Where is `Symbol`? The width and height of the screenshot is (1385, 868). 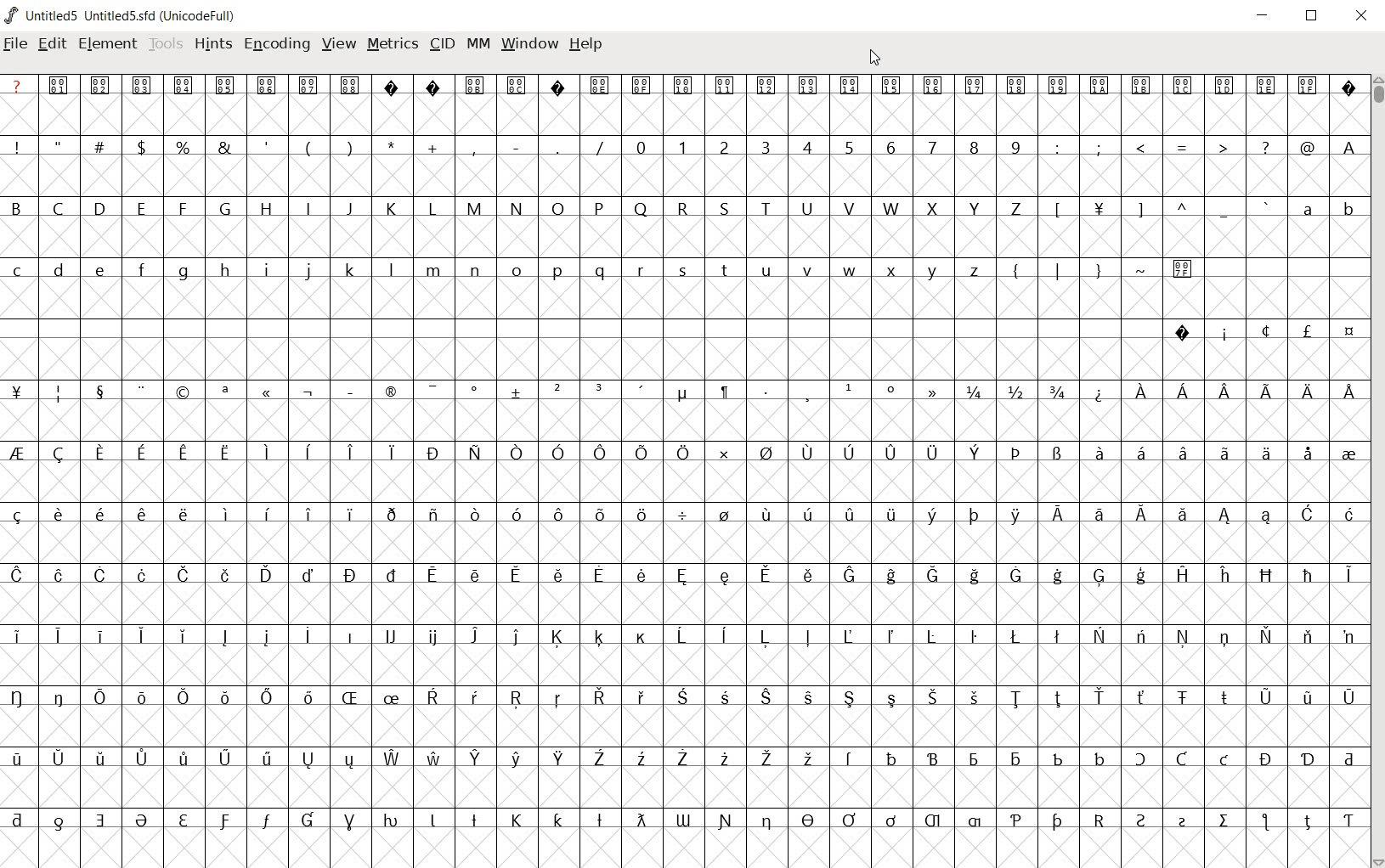 Symbol is located at coordinates (935, 822).